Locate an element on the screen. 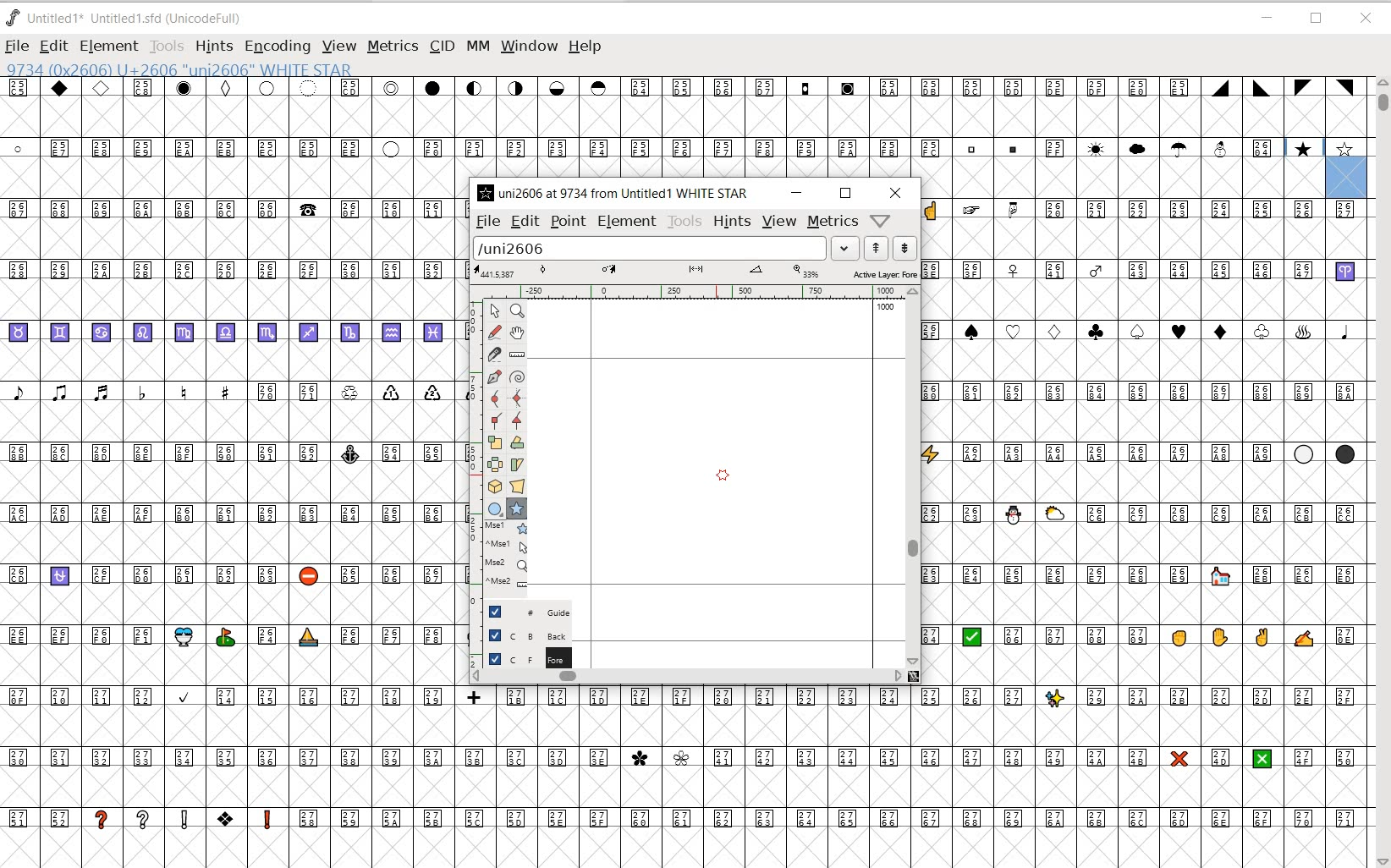 The image size is (1391, 868). METRICS is located at coordinates (392, 46).